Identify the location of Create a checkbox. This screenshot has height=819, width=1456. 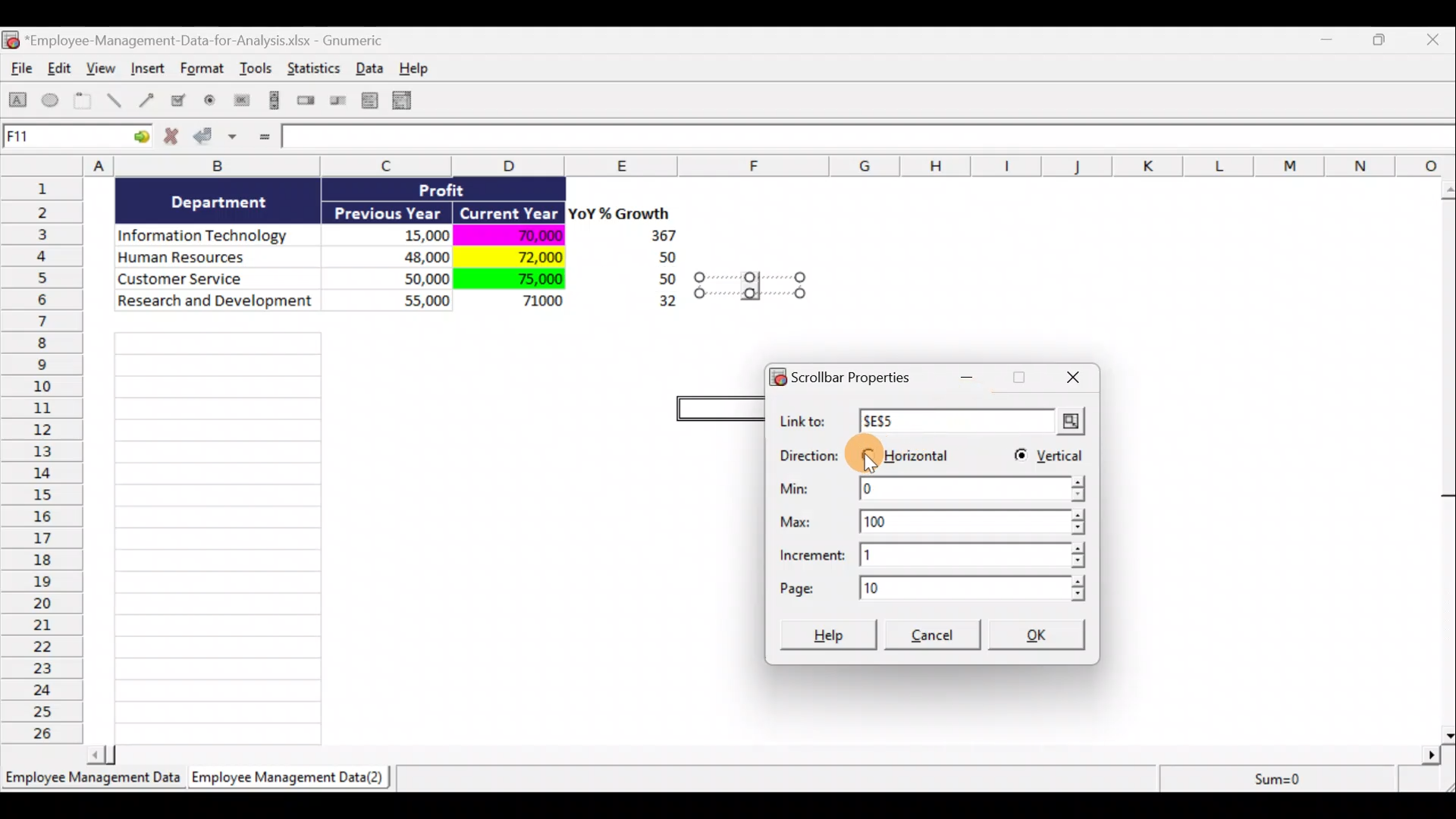
(179, 100).